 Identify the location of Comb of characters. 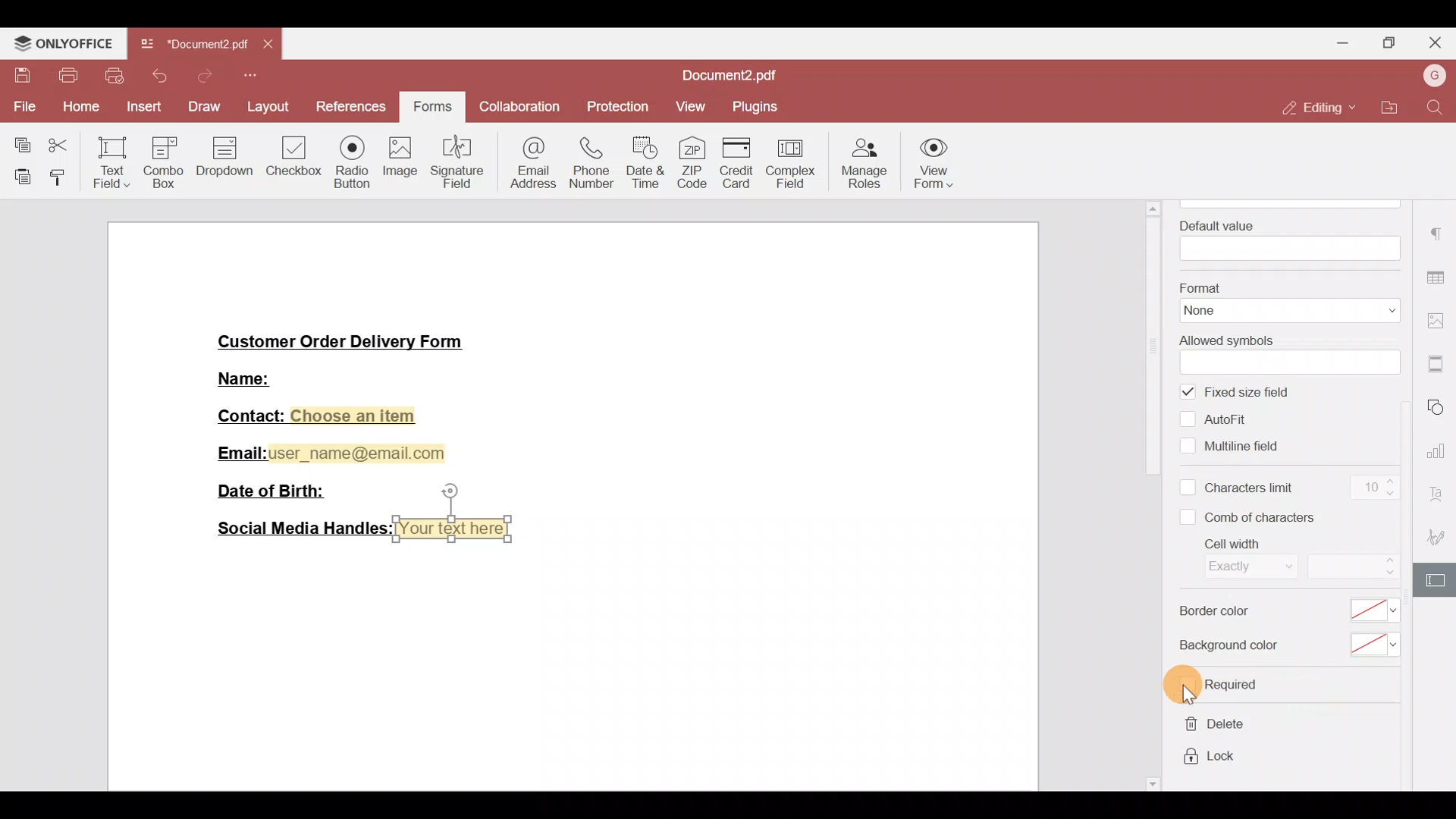
(1253, 516).